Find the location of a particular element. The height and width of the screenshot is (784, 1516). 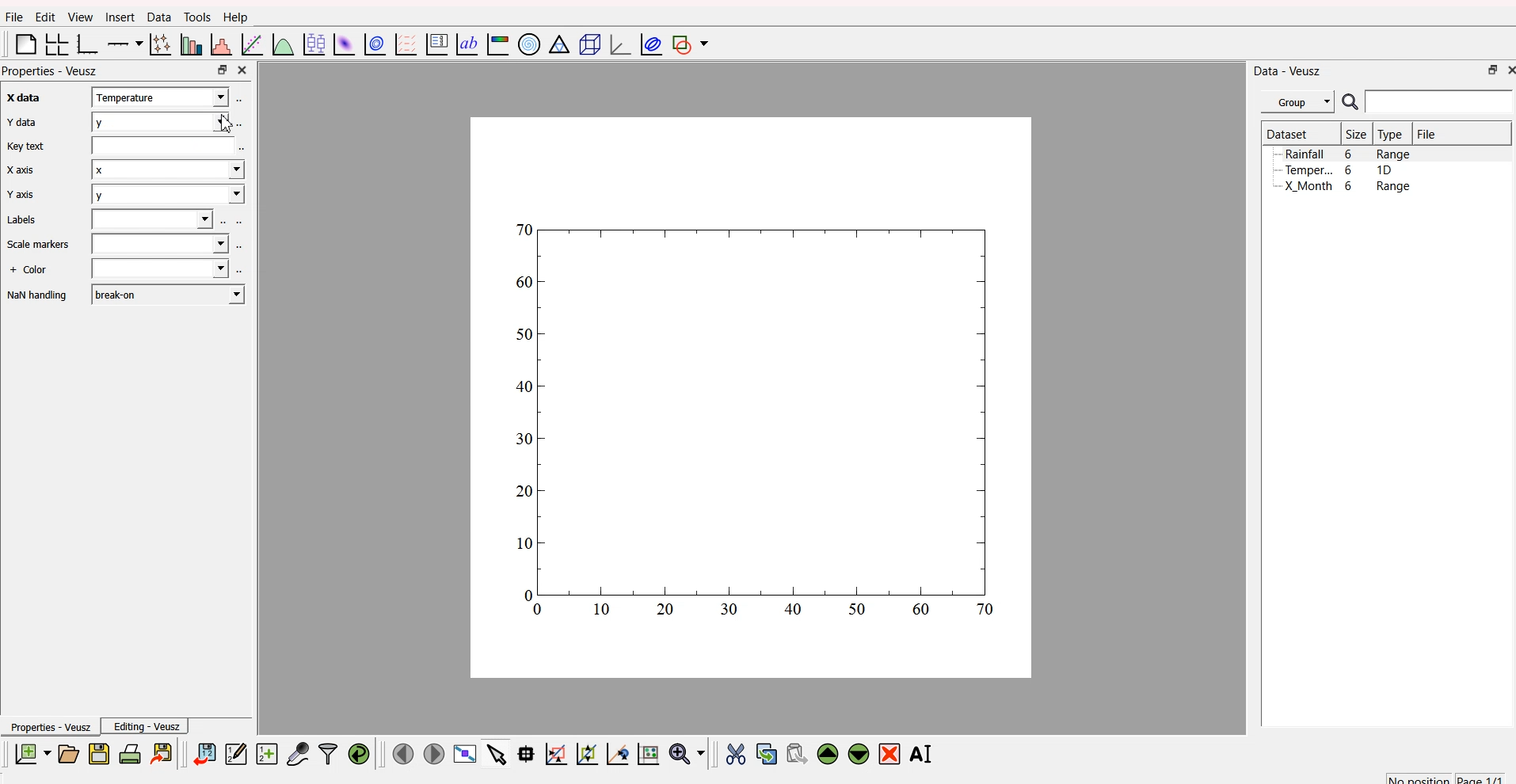

NaN handling is located at coordinates (38, 296).